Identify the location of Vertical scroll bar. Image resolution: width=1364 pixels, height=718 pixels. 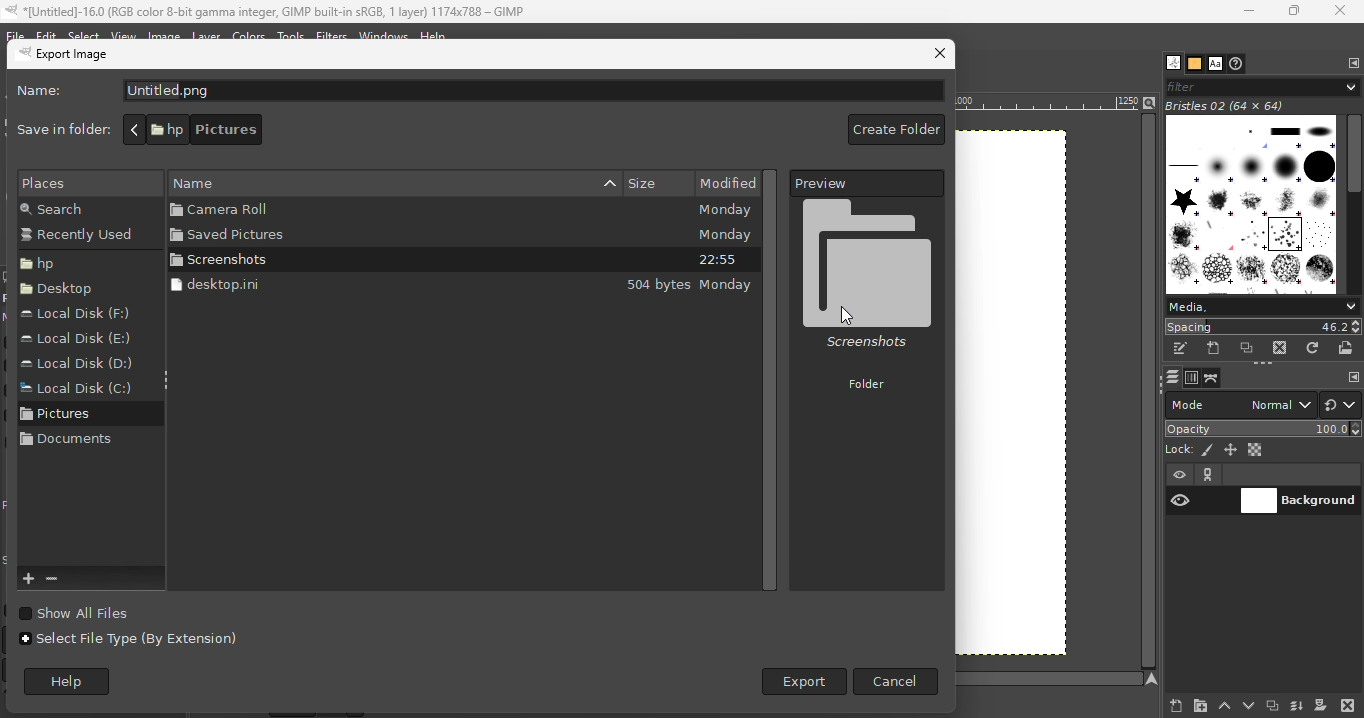
(775, 378).